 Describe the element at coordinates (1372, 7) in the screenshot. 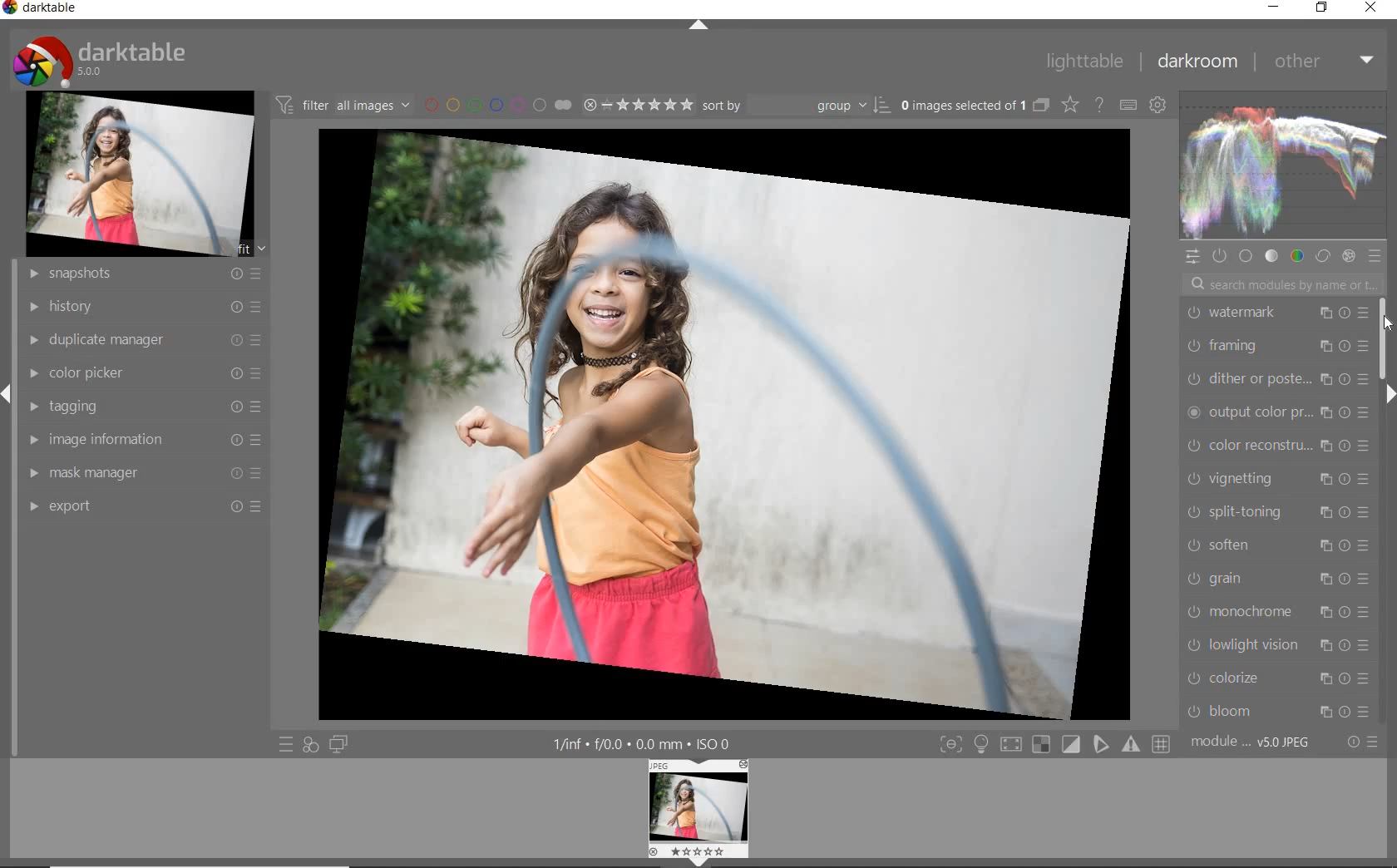

I see `close` at that location.